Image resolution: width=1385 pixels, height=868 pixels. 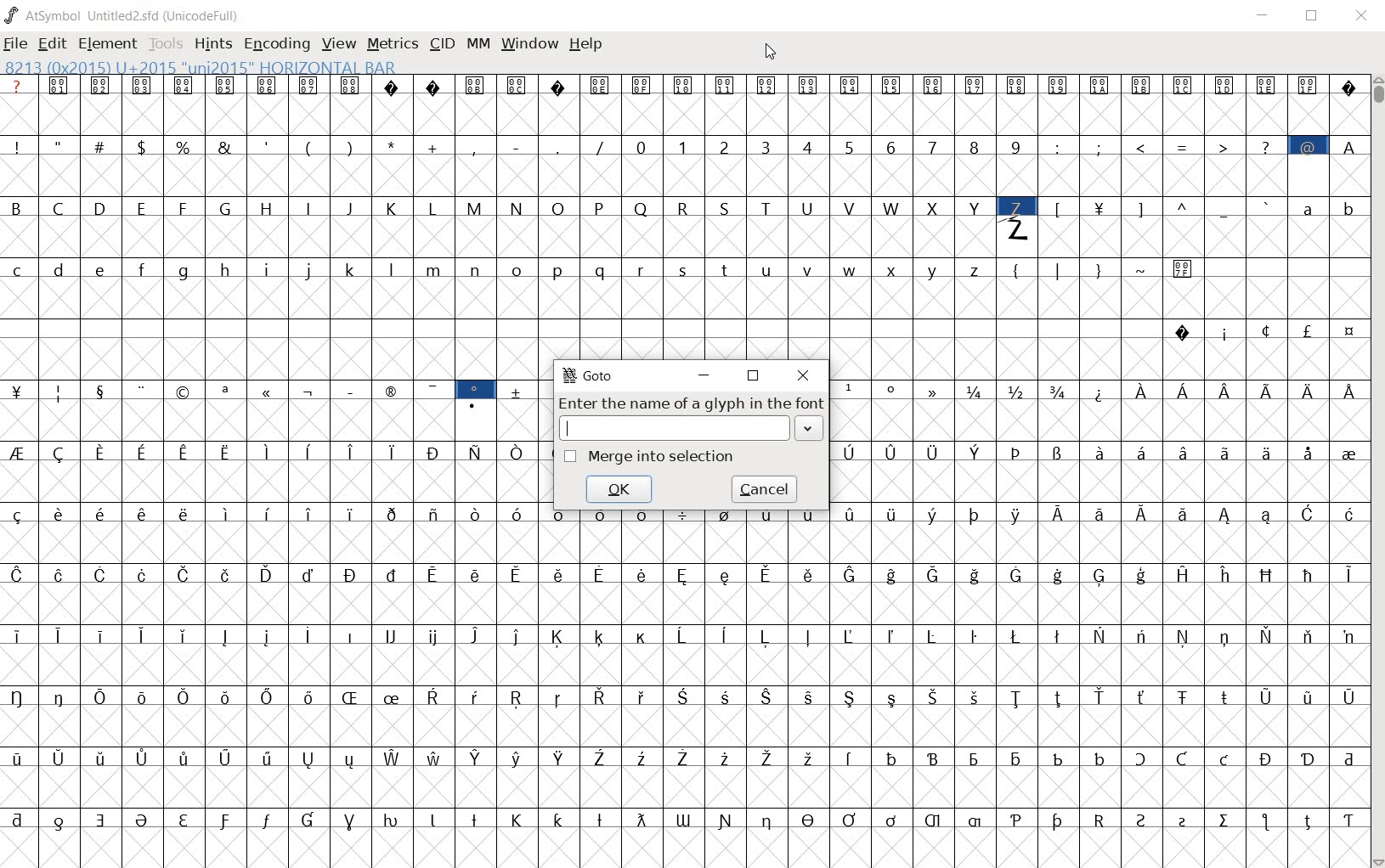 What do you see at coordinates (277, 44) in the screenshot?
I see `ENCODING` at bounding box center [277, 44].